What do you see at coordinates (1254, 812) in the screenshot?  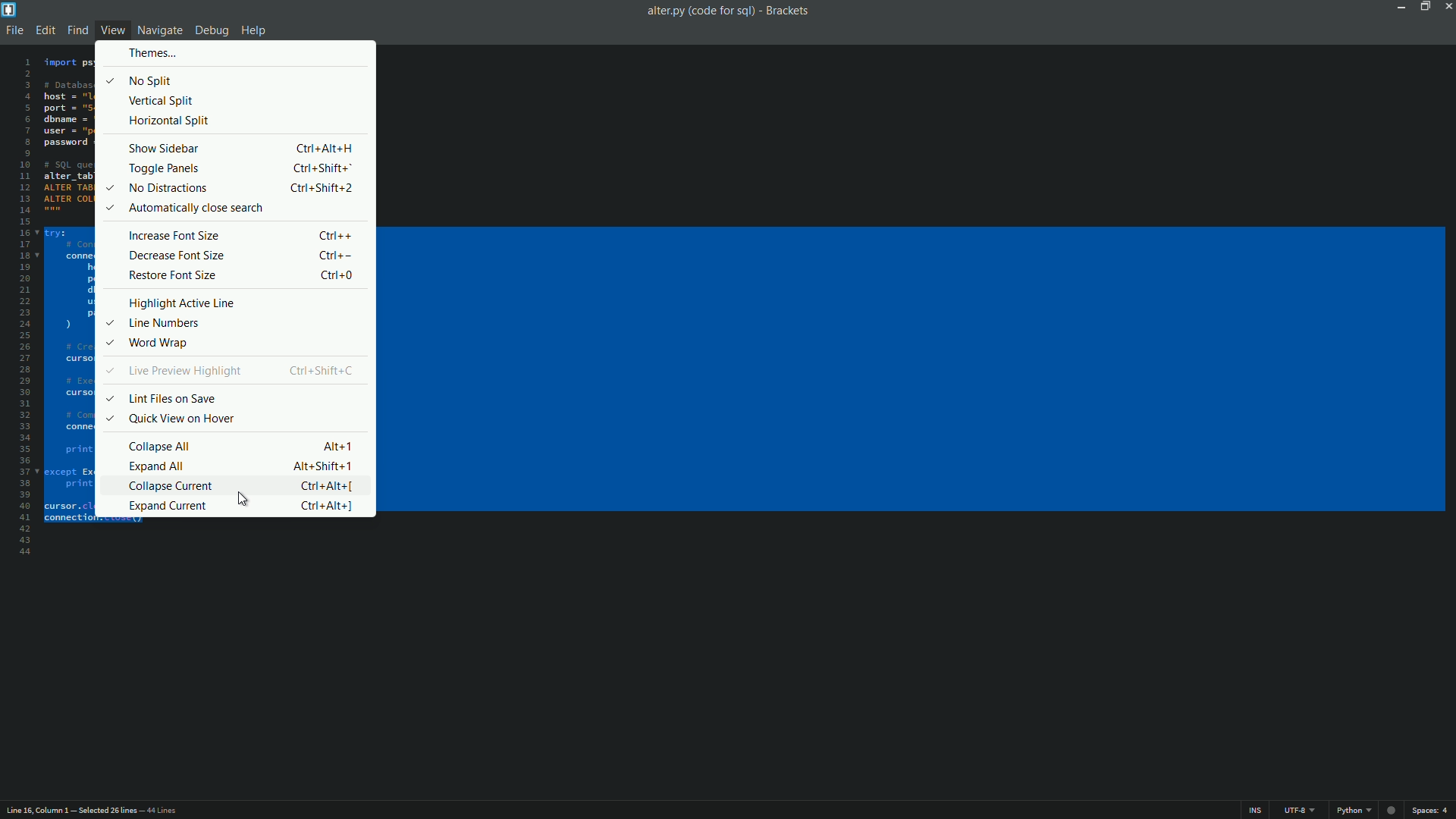 I see `ins` at bounding box center [1254, 812].